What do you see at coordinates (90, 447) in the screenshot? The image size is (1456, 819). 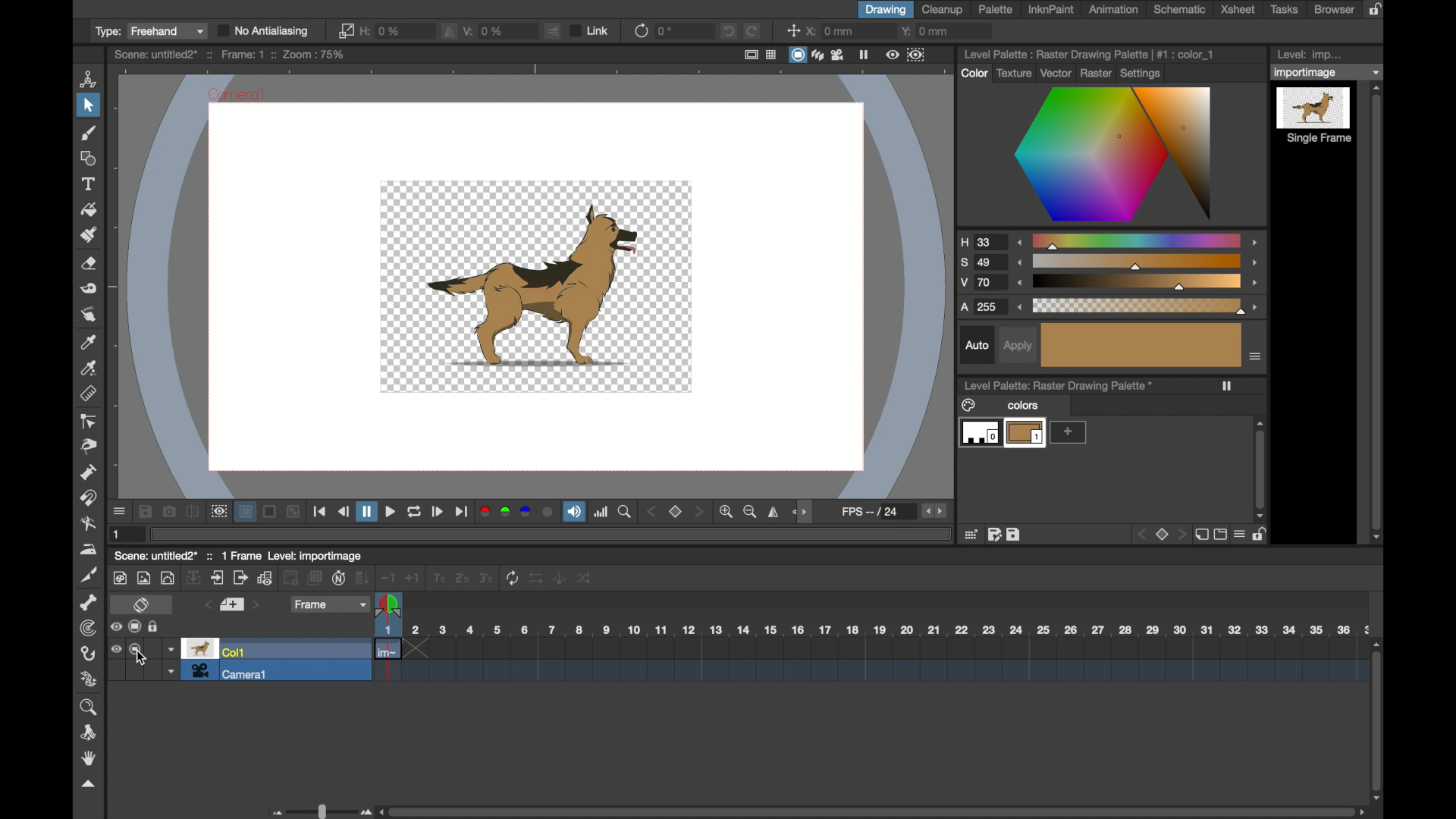 I see `pinch tool` at bounding box center [90, 447].